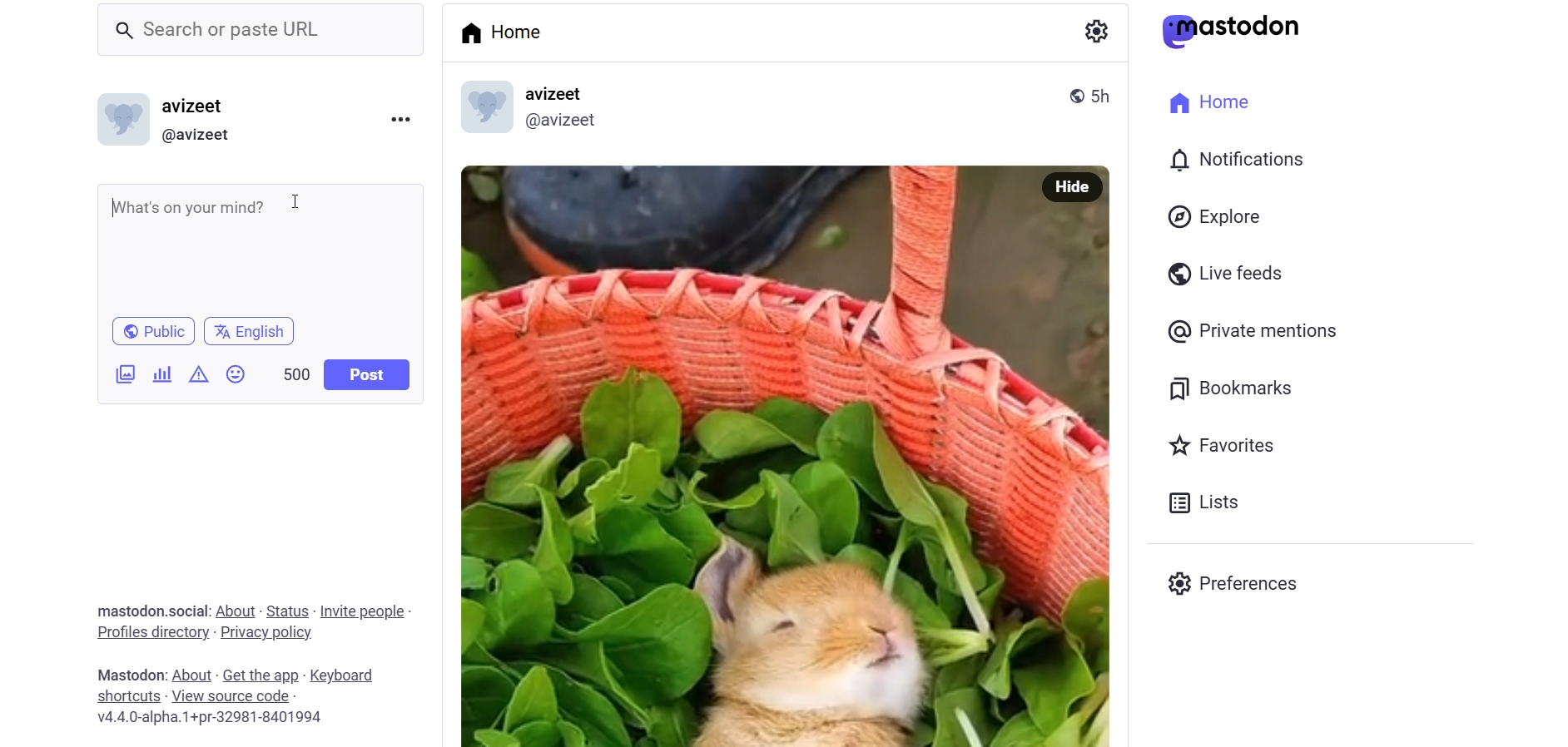  I want to click on status, so click(286, 611).